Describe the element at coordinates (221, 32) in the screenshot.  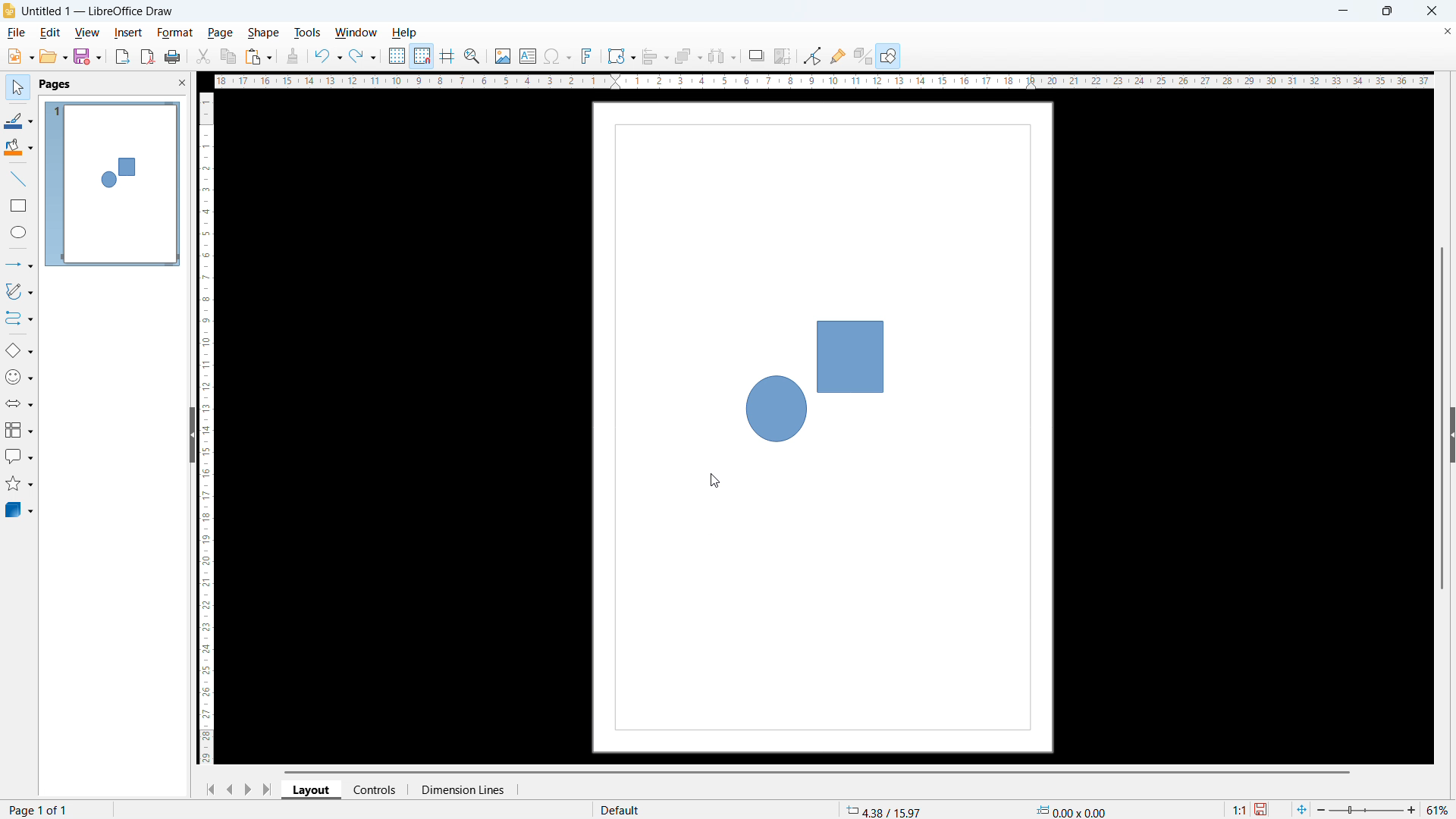
I see `page` at that location.